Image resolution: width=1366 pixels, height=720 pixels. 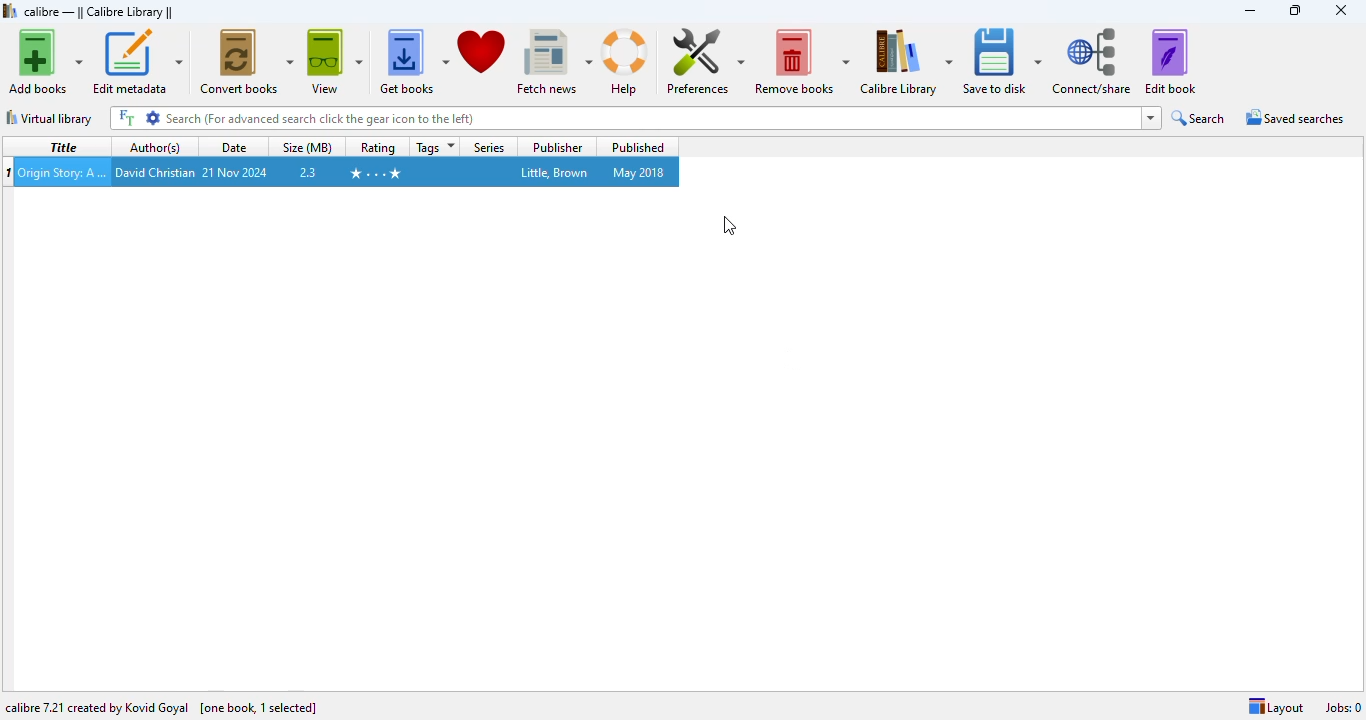 I want to click on add books, so click(x=45, y=61).